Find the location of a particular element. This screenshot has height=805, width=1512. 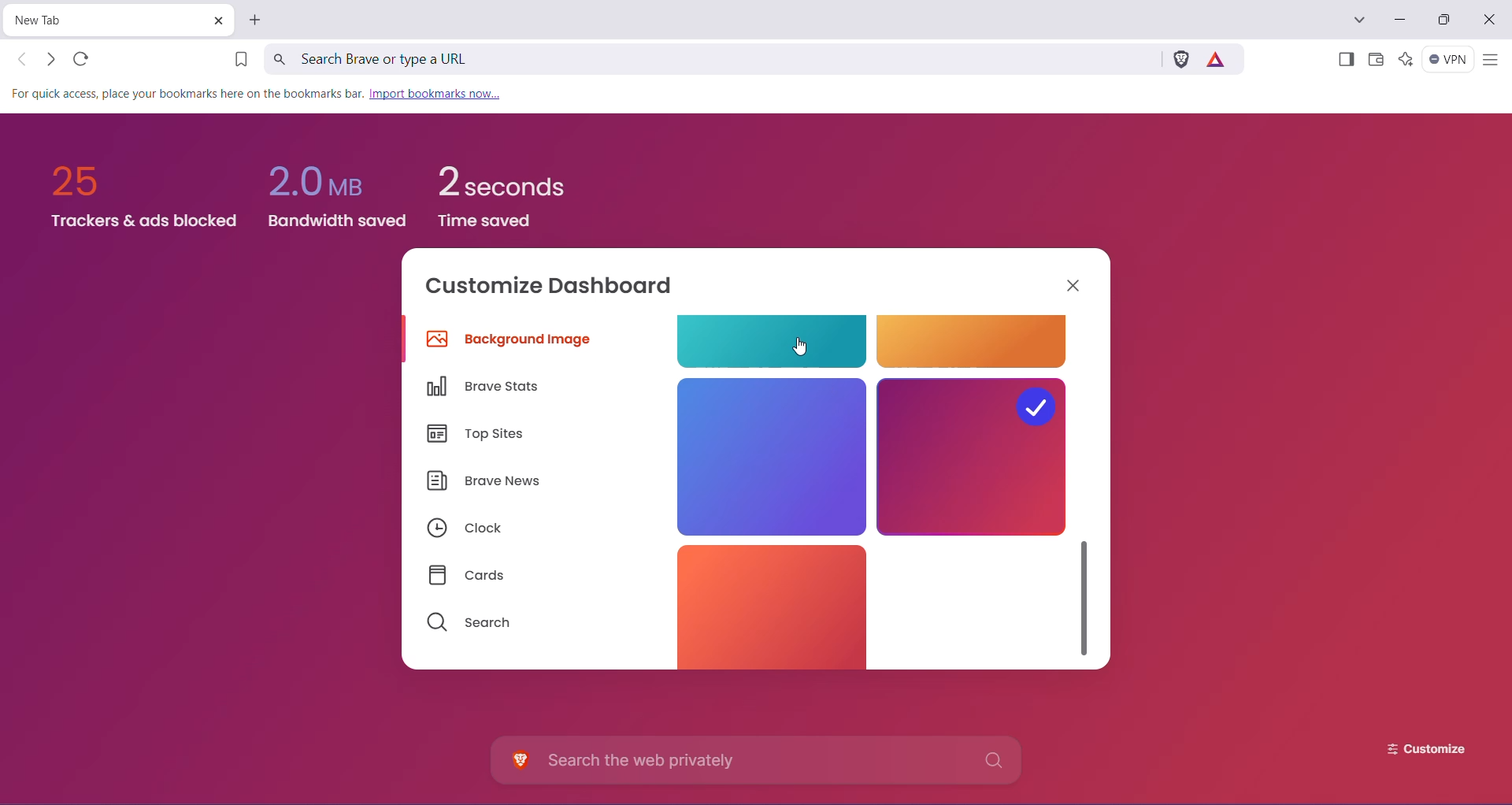

Customize is located at coordinates (1414, 749).